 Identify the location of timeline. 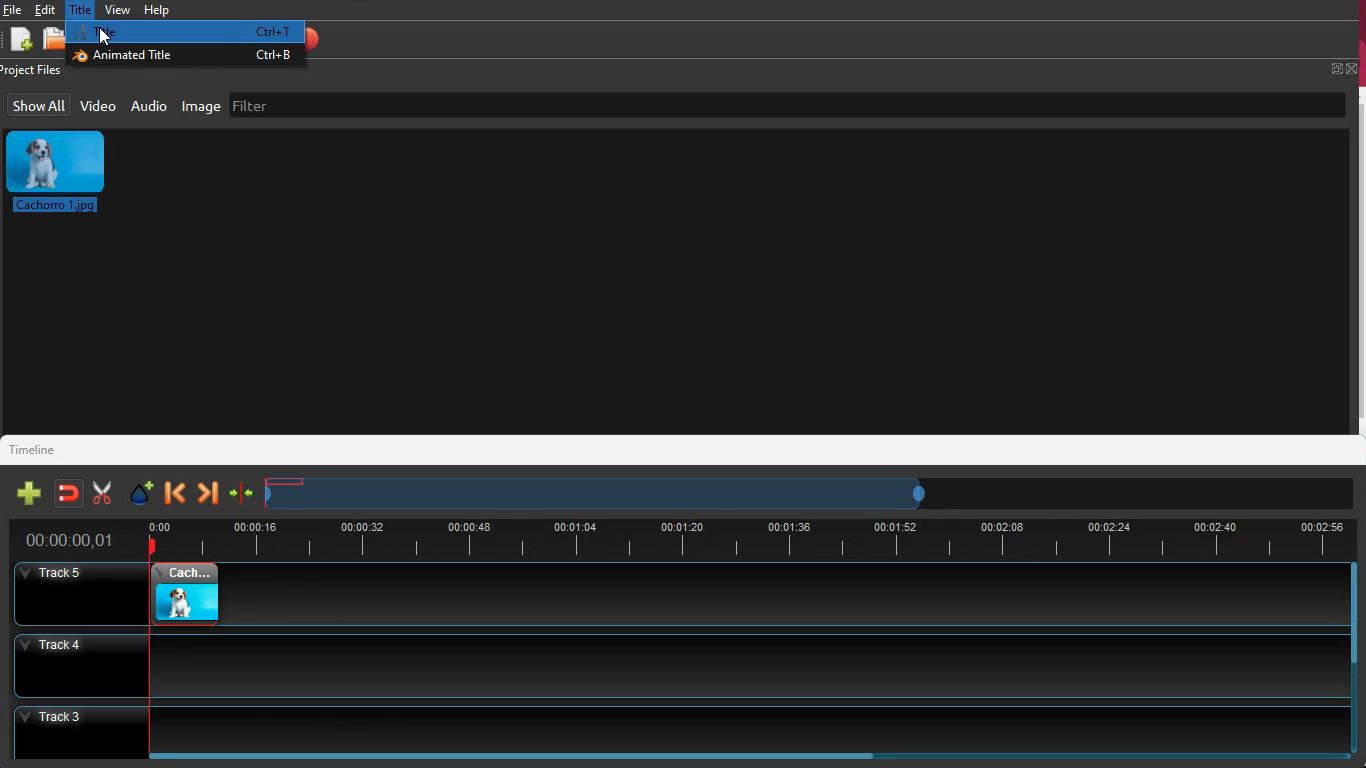
(602, 493).